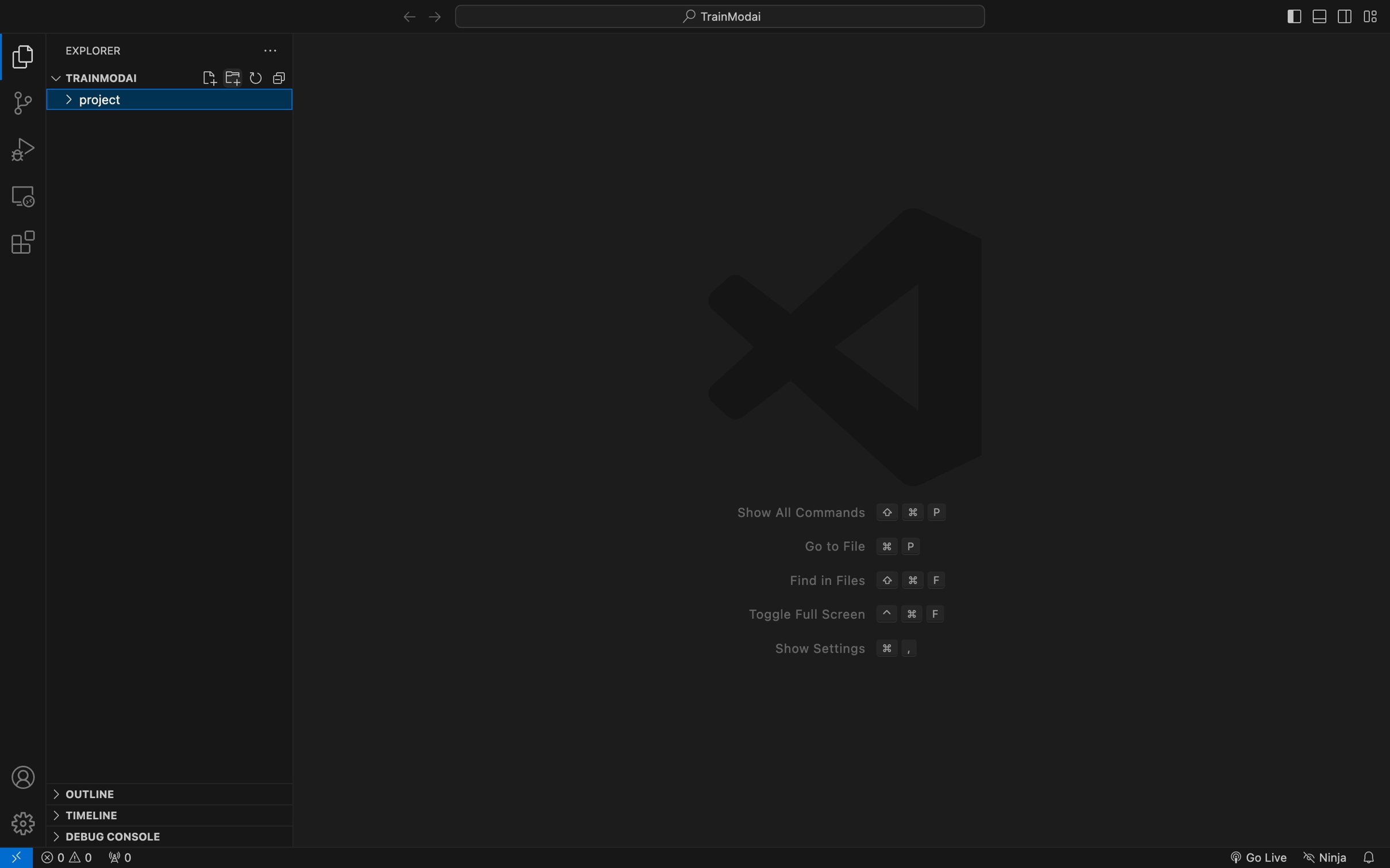 The image size is (1390, 868). Describe the element at coordinates (22, 149) in the screenshot. I see `debug` at that location.